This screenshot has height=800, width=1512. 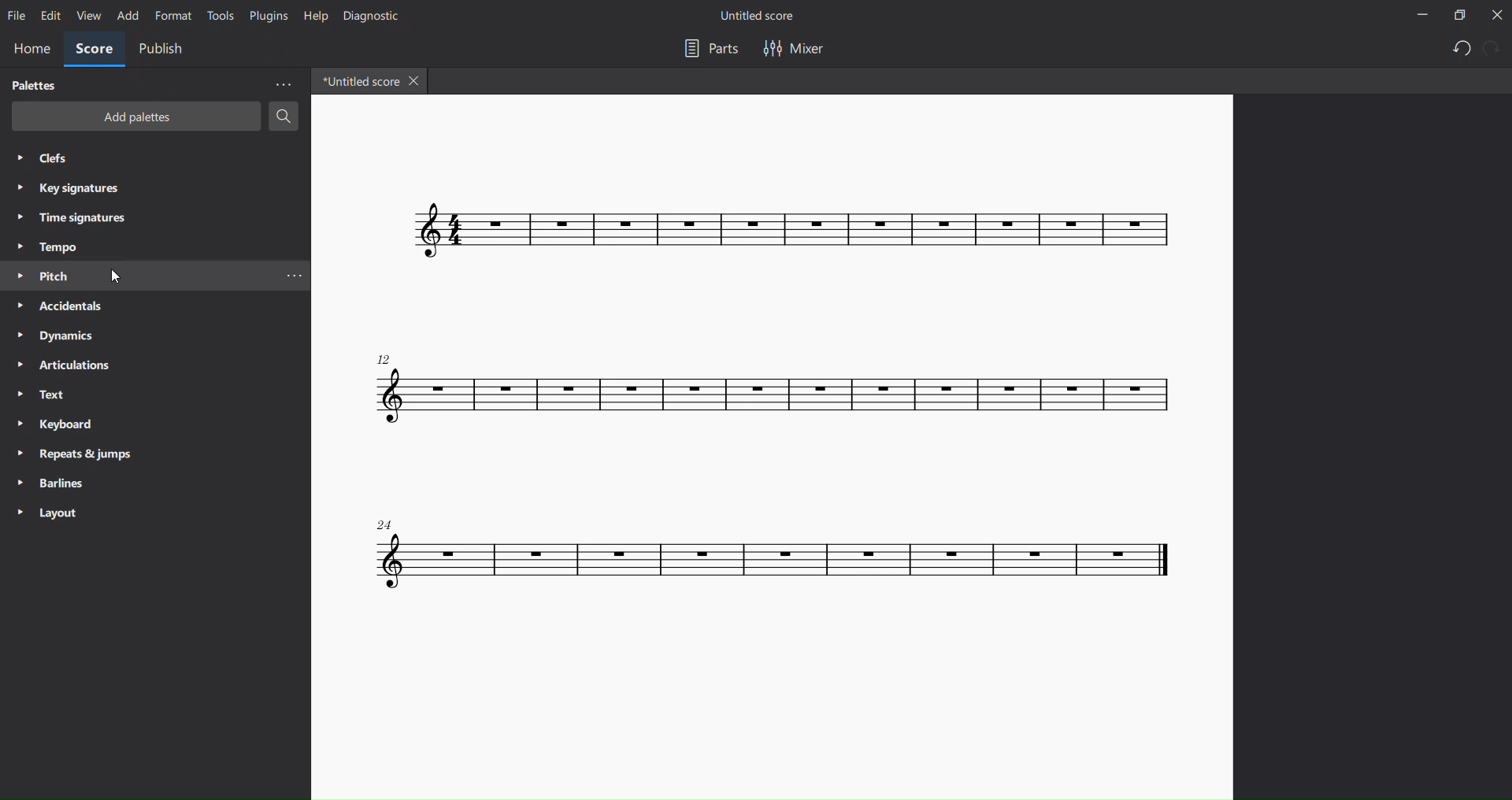 What do you see at coordinates (50, 246) in the screenshot?
I see `tempo` at bounding box center [50, 246].